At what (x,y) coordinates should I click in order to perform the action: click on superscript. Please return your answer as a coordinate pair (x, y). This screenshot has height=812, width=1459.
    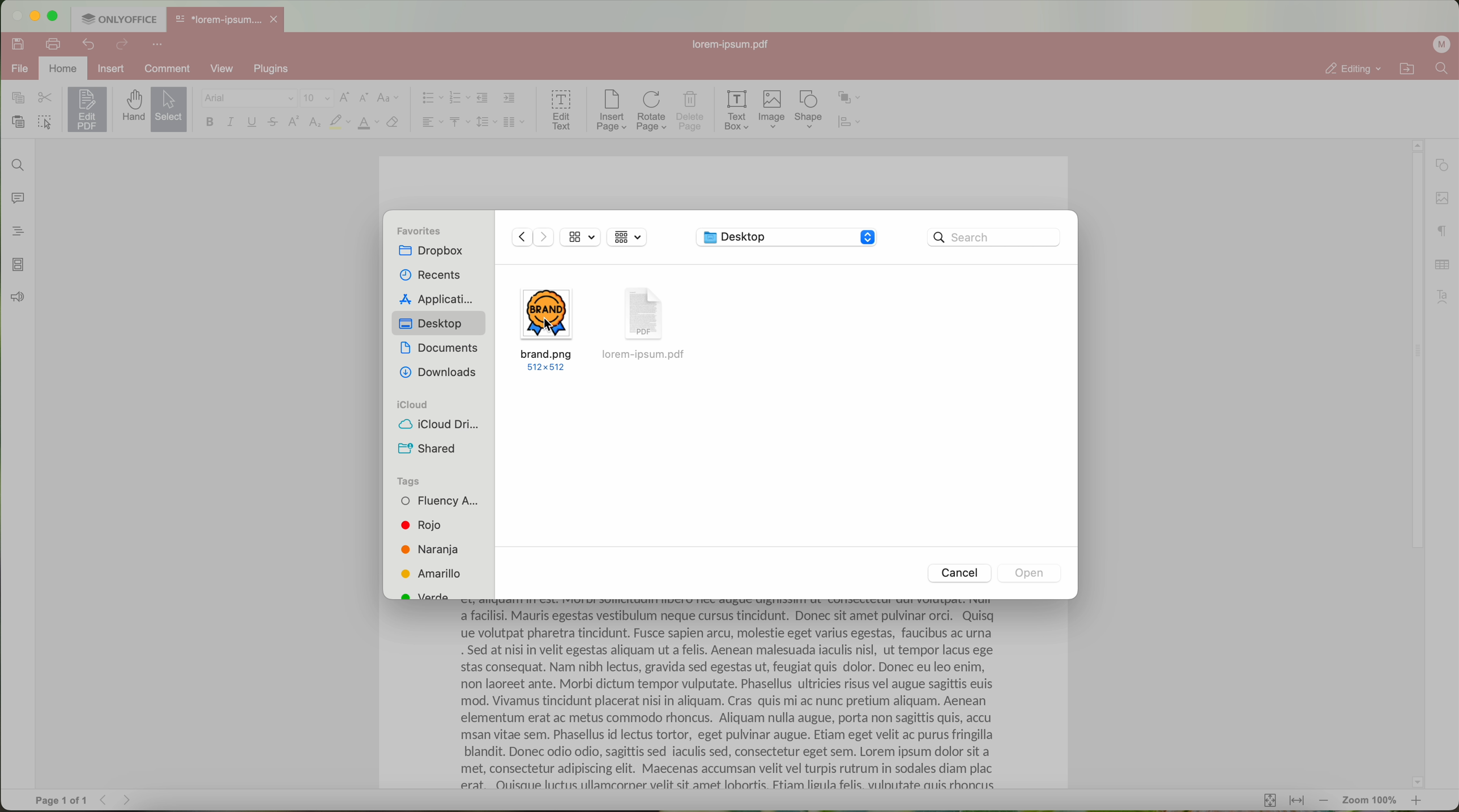
    Looking at the image, I should click on (295, 121).